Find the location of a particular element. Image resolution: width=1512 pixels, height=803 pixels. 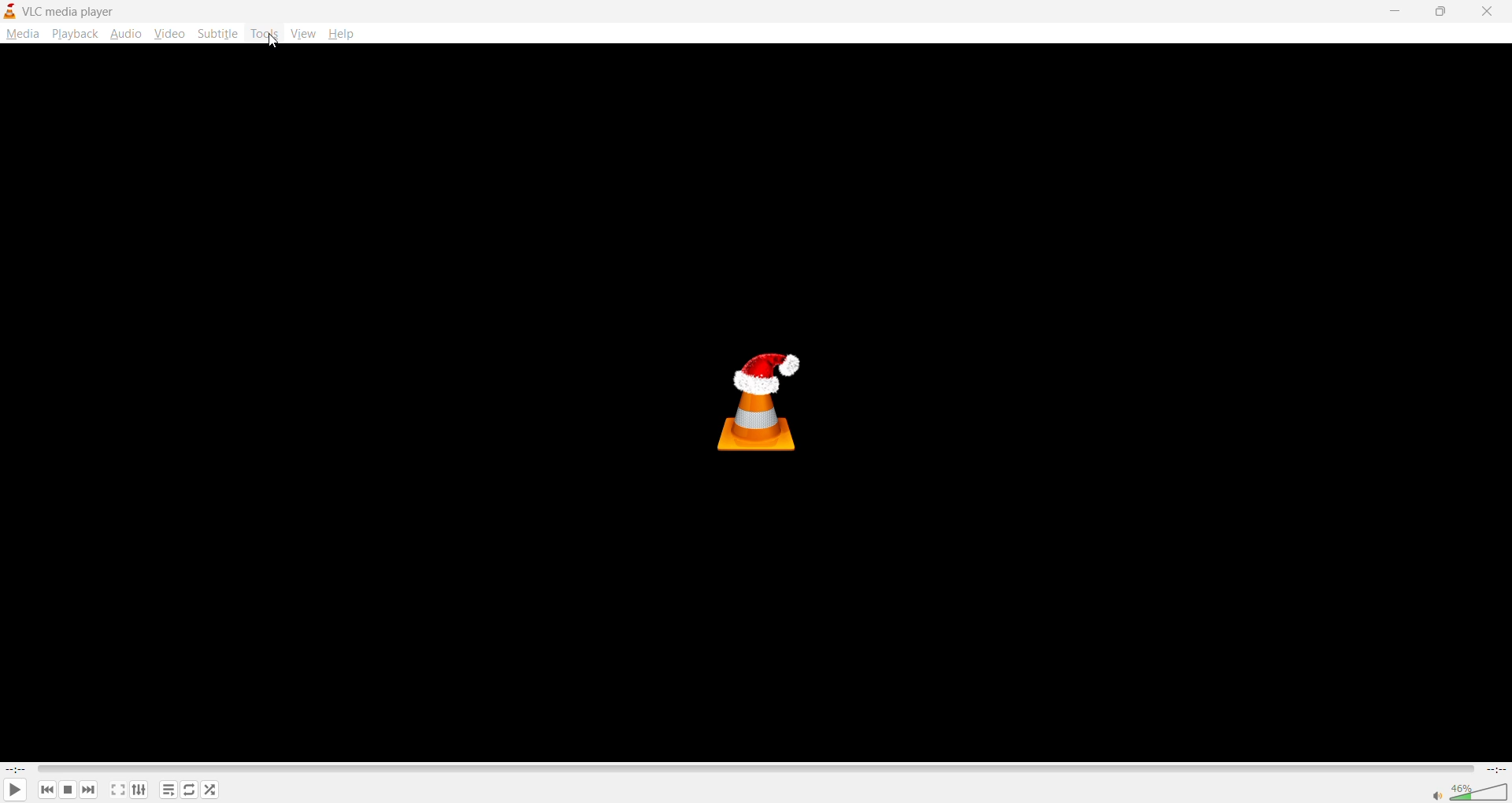

previous is located at coordinates (46, 790).